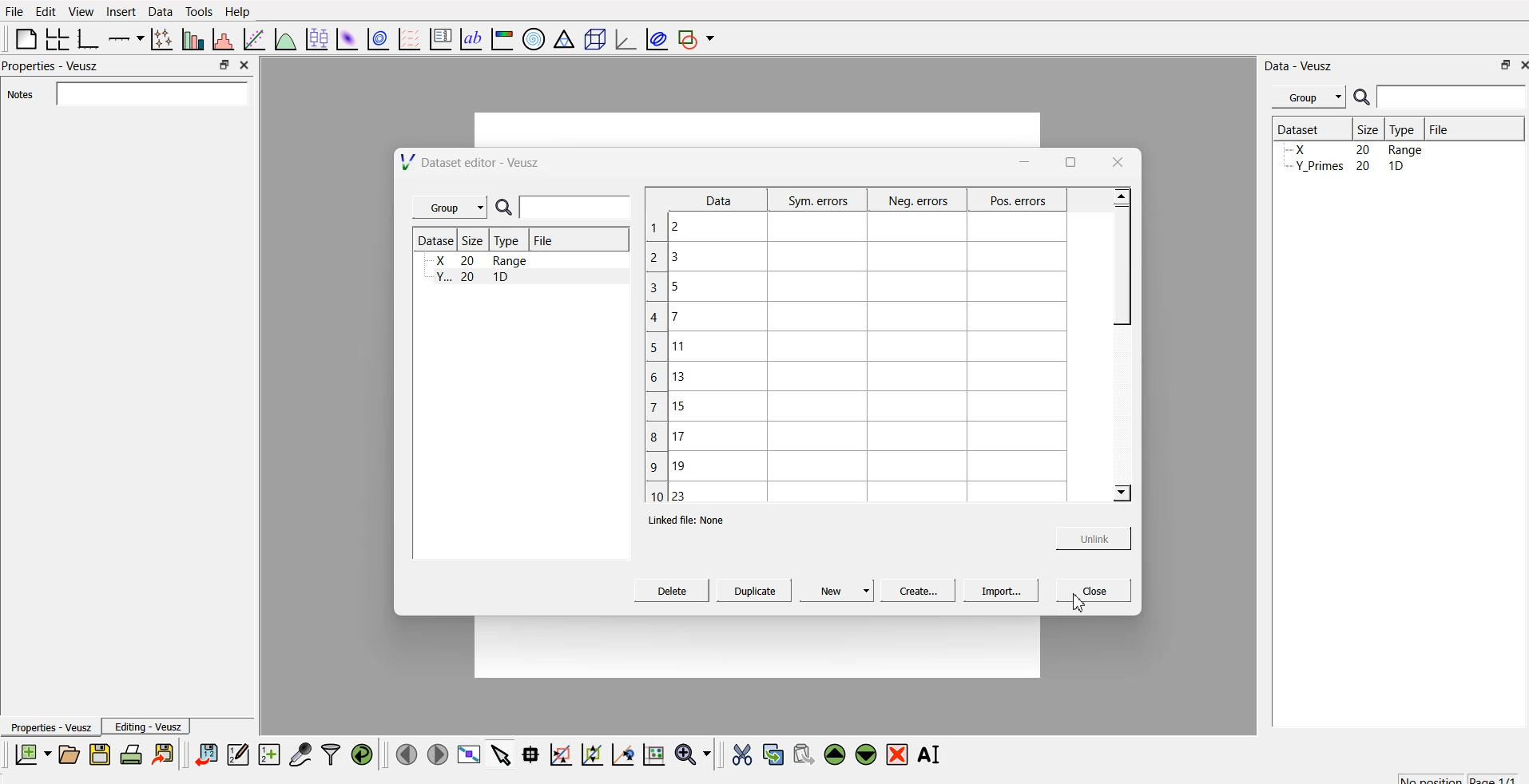 The height and width of the screenshot is (784, 1529). What do you see at coordinates (1499, 65) in the screenshot?
I see `maximize` at bounding box center [1499, 65].